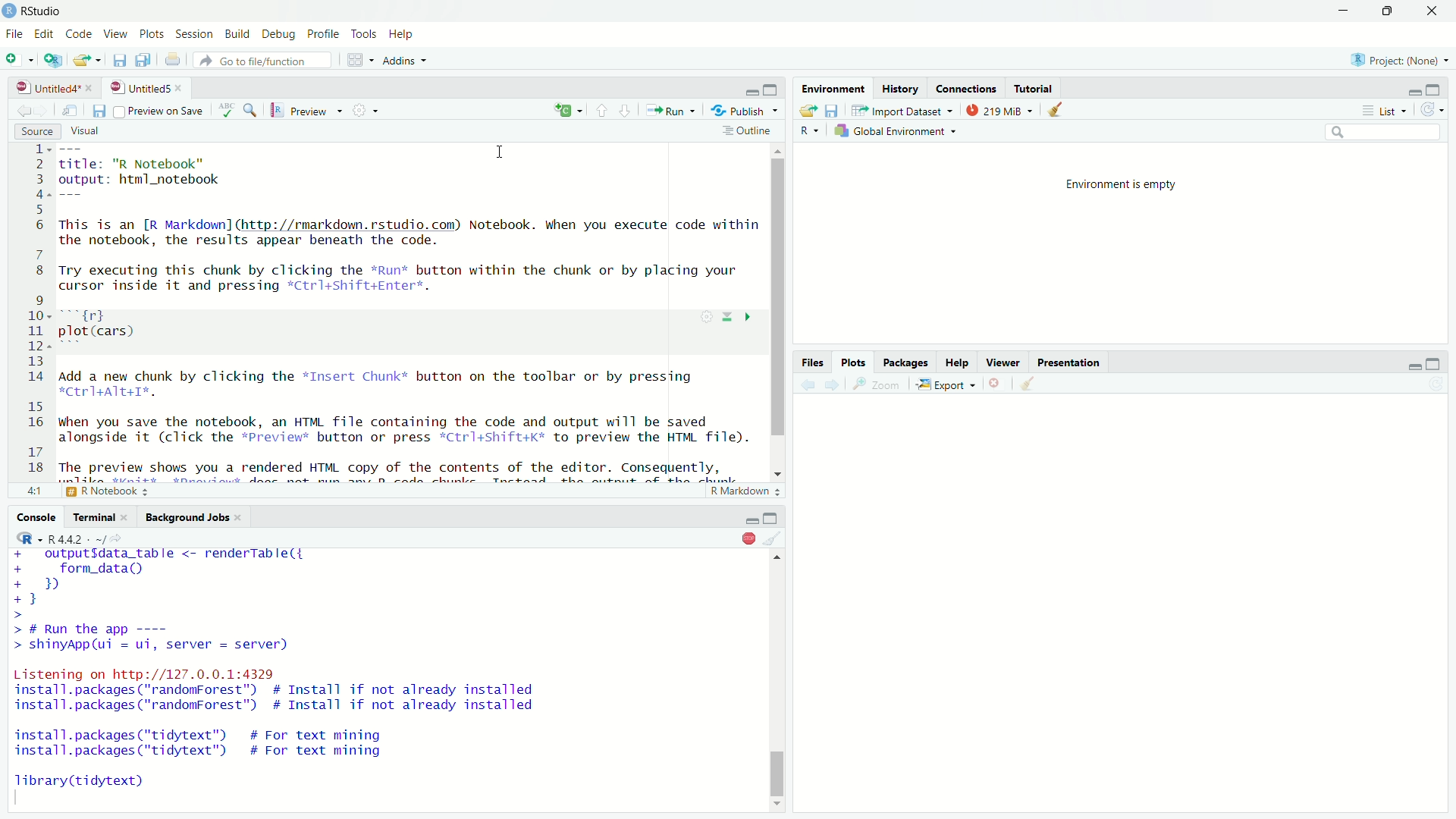 This screenshot has width=1456, height=819. I want to click on Zoom, so click(881, 385).